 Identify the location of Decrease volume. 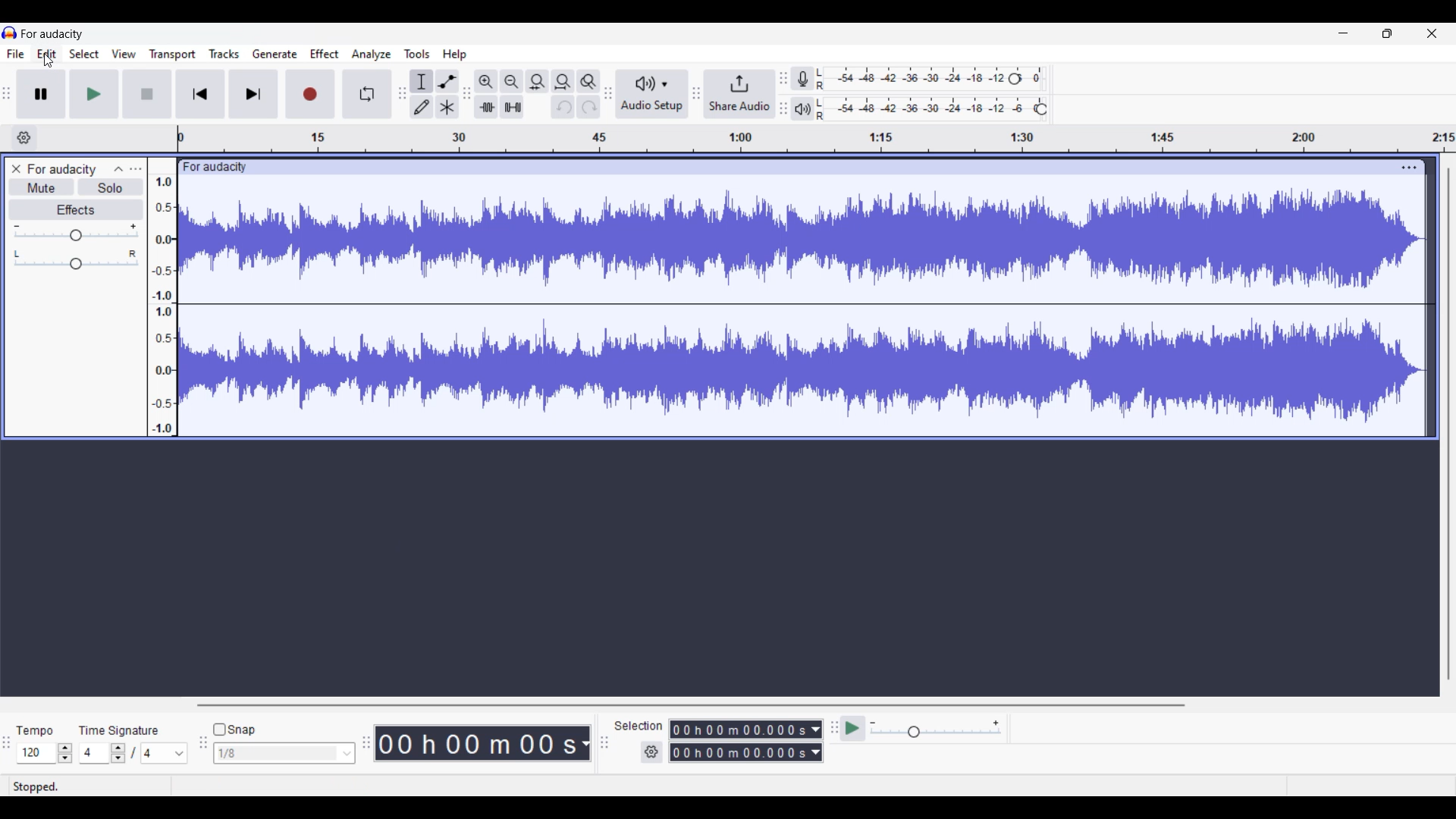
(16, 227).